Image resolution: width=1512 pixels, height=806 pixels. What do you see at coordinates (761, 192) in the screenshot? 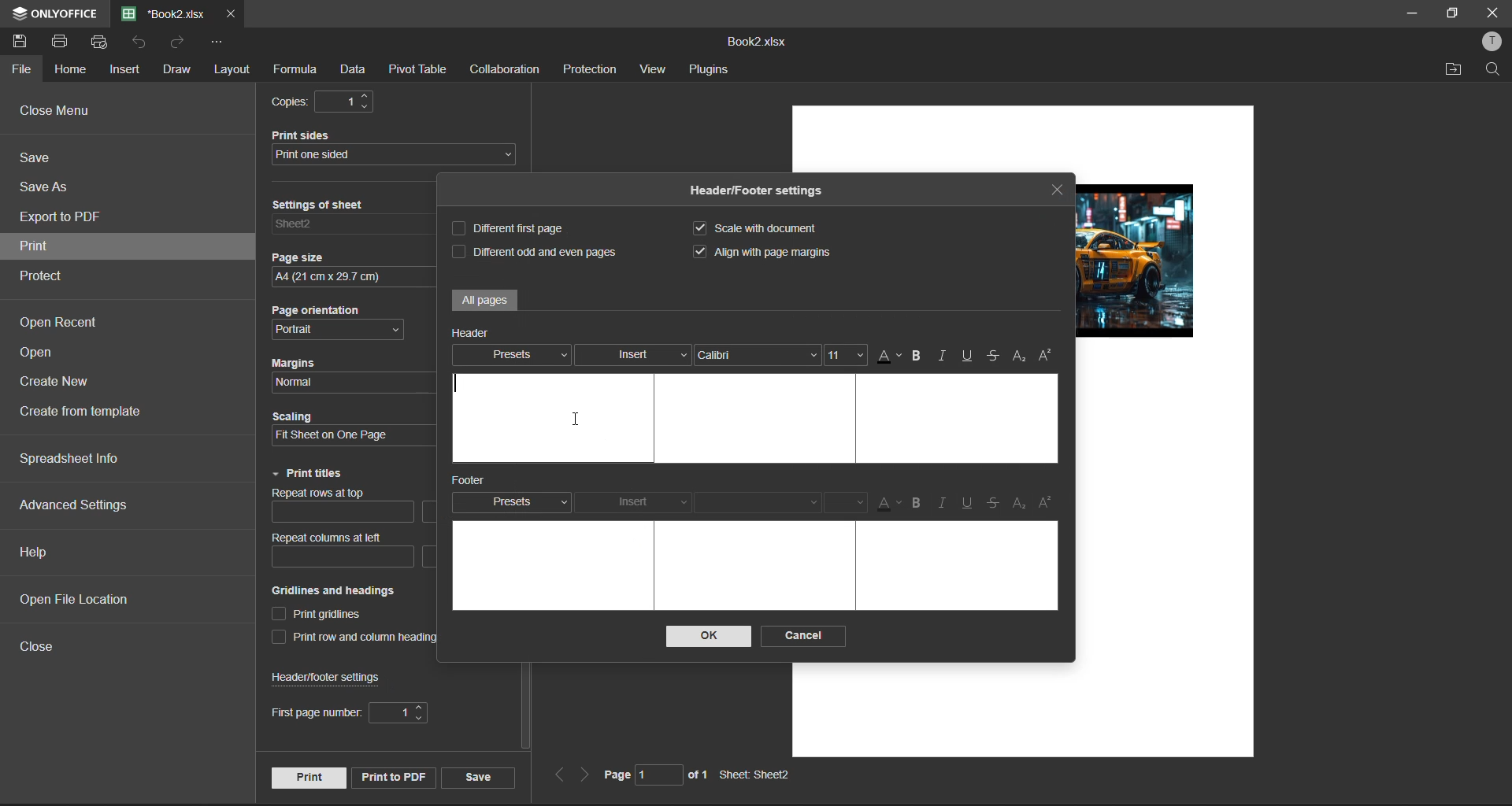
I see `header/footer settings` at bounding box center [761, 192].